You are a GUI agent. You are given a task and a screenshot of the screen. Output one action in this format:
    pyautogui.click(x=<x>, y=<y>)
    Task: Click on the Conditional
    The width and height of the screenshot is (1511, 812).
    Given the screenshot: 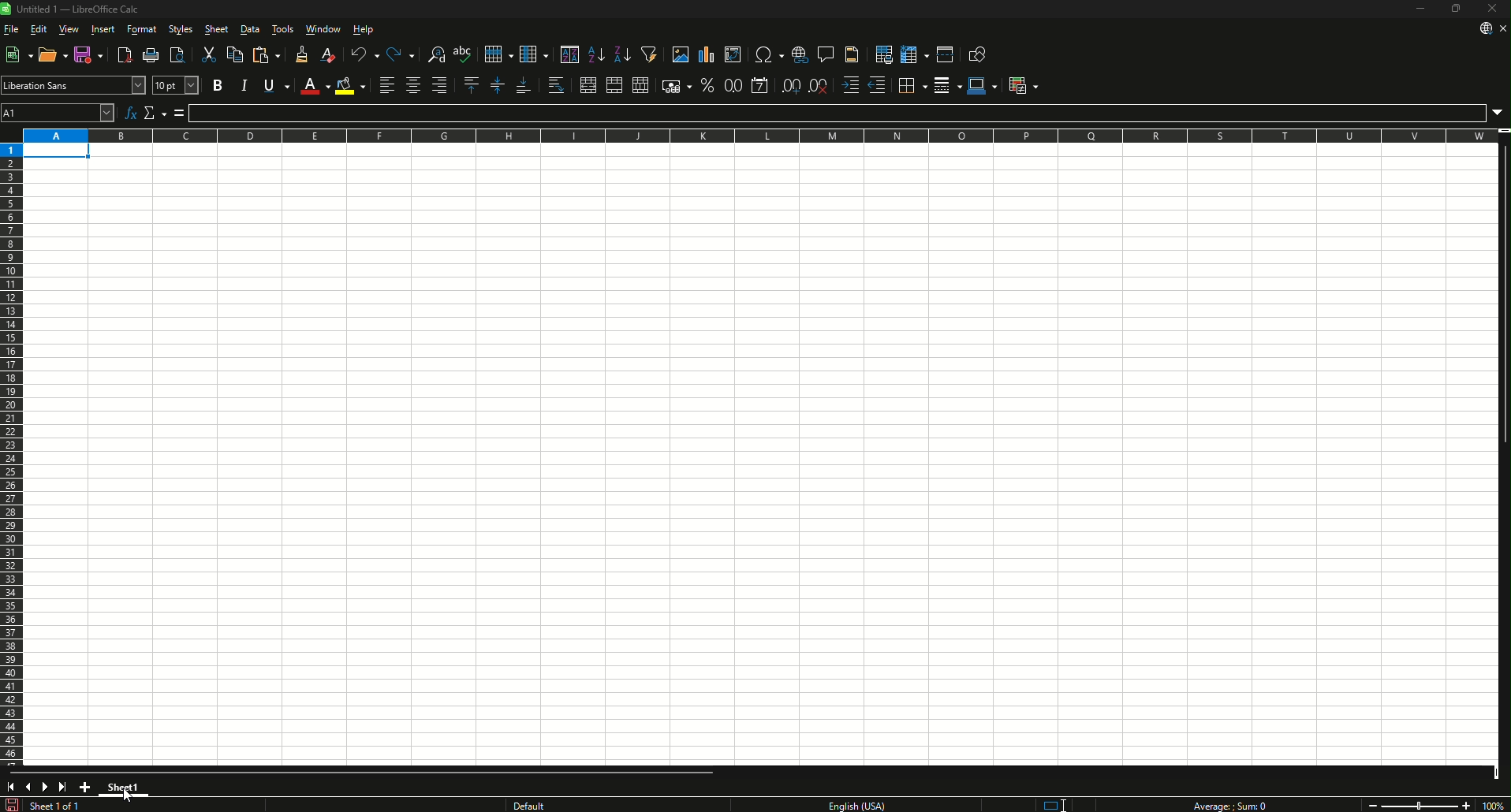 What is the action you would take?
    pyautogui.click(x=1023, y=86)
    